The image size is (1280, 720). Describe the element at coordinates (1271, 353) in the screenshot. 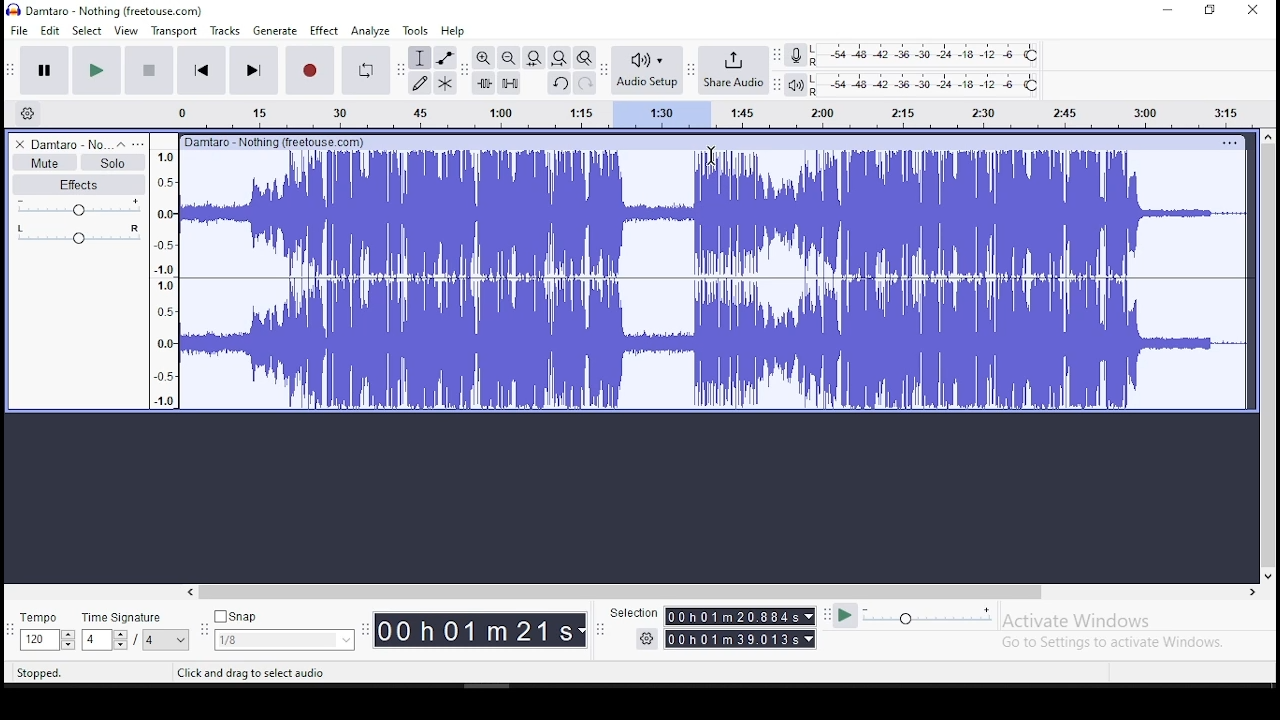

I see `vertical scroll bar` at that location.